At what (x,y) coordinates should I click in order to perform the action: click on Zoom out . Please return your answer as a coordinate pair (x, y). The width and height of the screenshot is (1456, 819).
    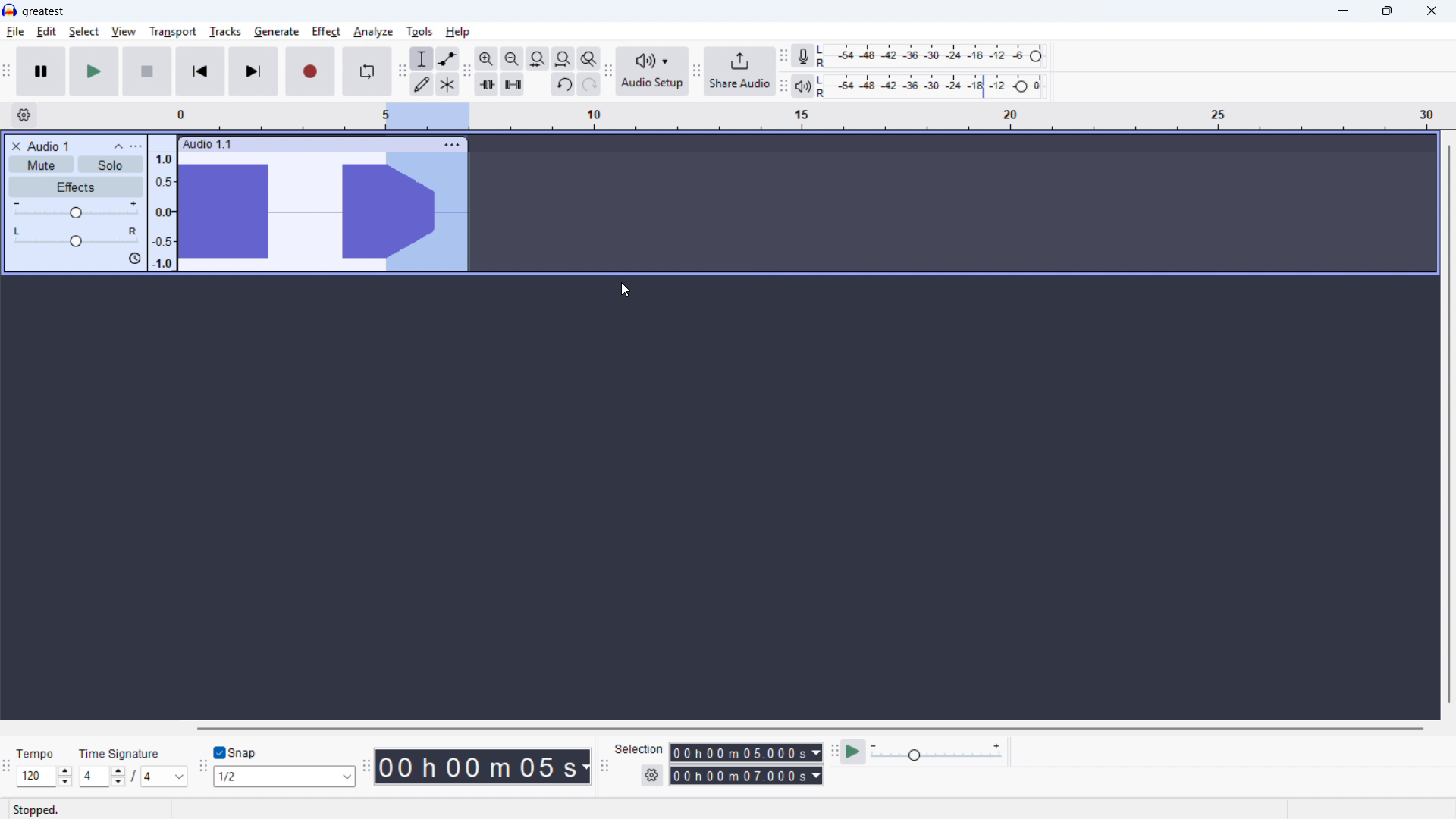
    Looking at the image, I should click on (513, 59).